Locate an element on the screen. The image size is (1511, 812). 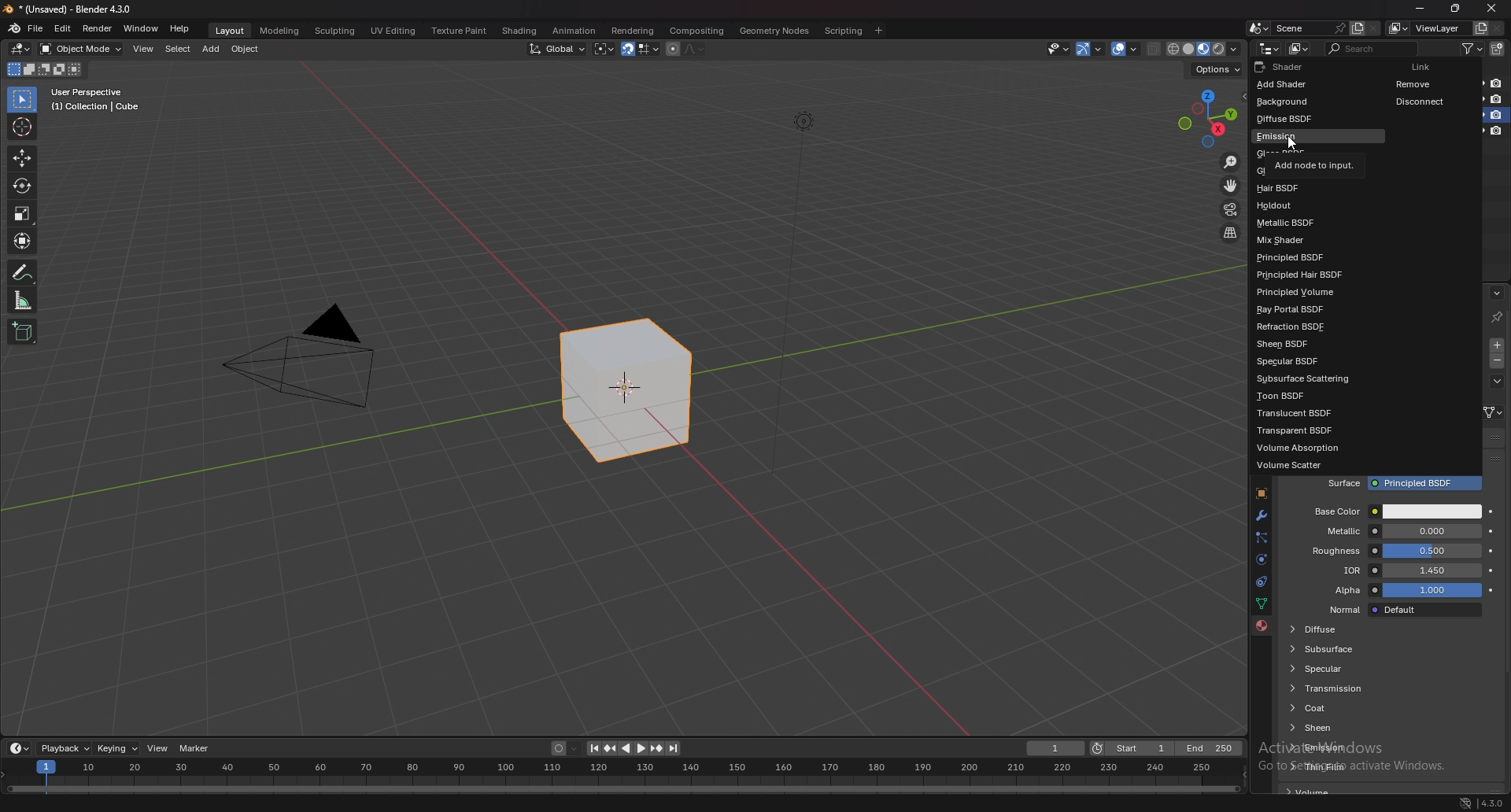
principled volume is located at coordinates (1314, 293).